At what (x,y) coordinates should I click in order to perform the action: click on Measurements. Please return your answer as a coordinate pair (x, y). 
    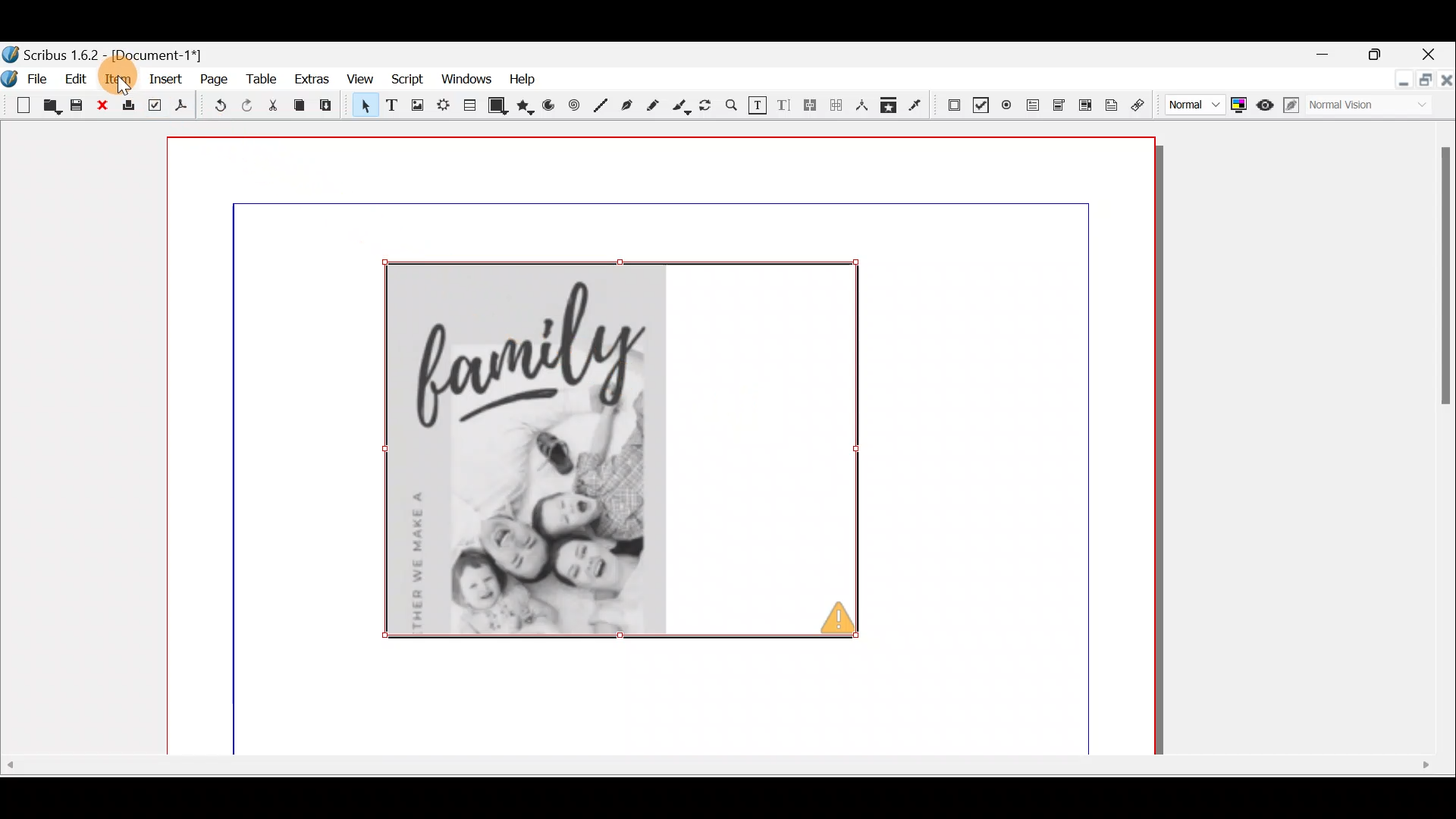
    Looking at the image, I should click on (862, 108).